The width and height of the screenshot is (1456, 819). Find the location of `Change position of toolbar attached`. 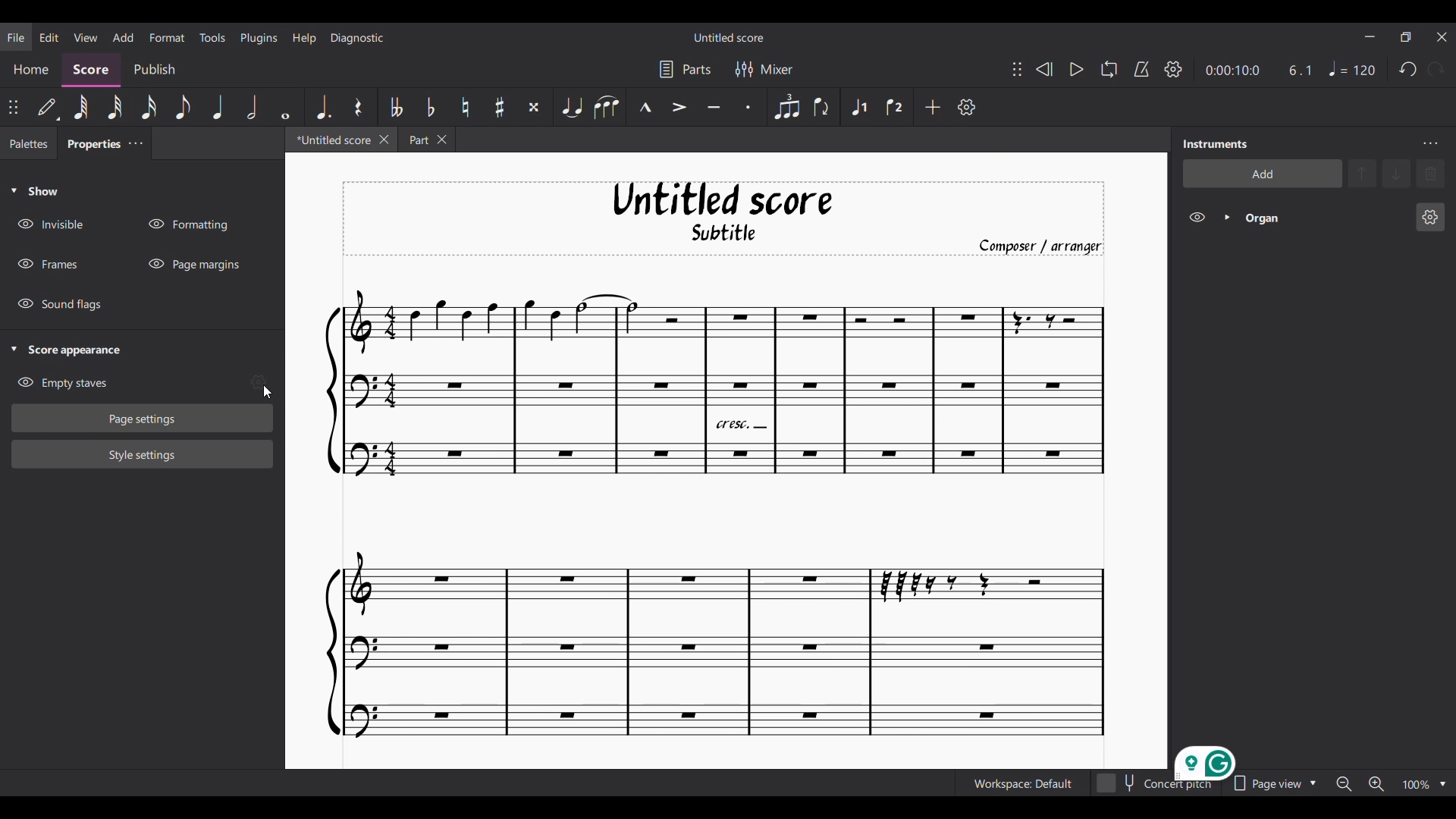

Change position of toolbar attached is located at coordinates (1017, 70).